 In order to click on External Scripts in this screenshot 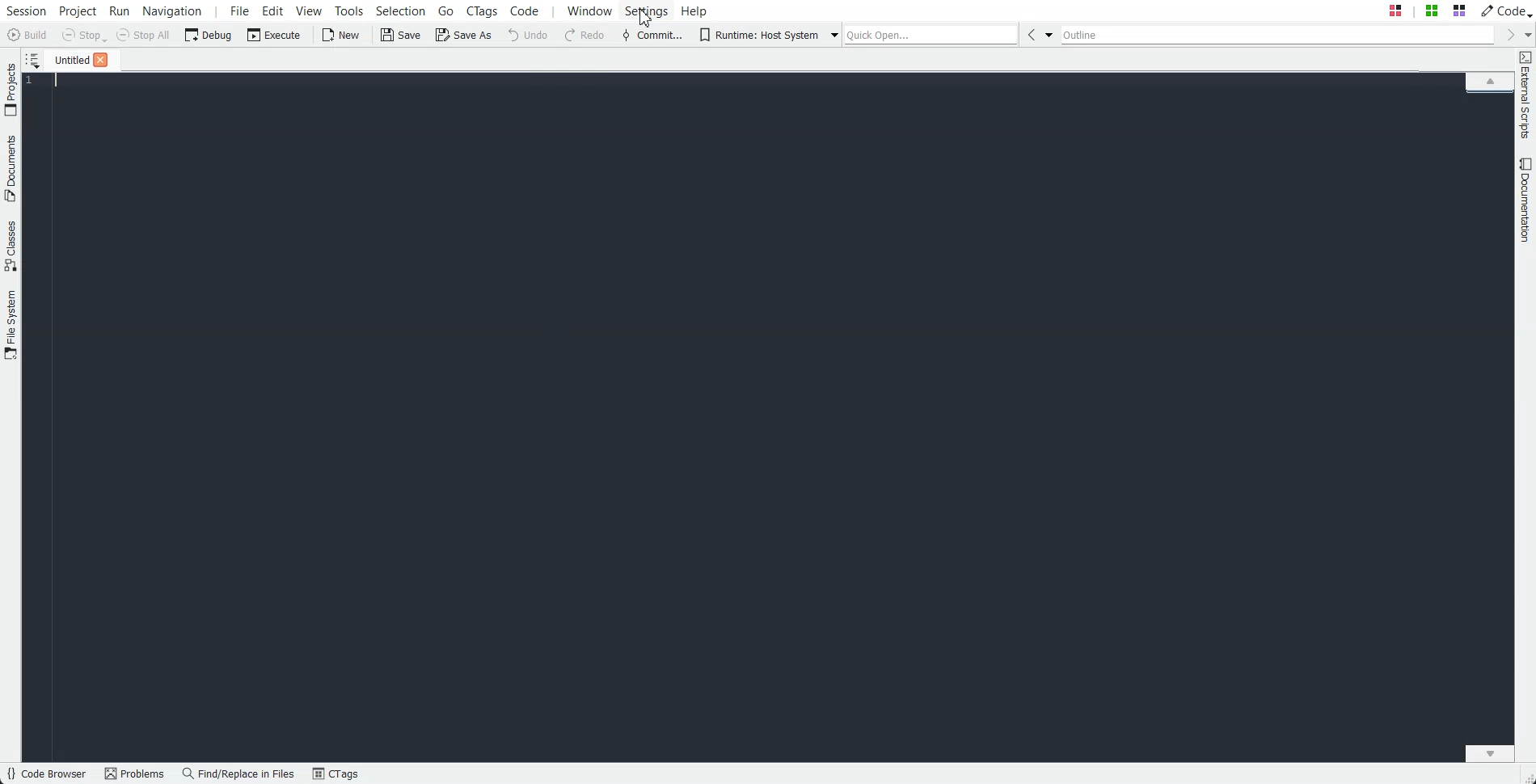, I will do `click(1525, 95)`.